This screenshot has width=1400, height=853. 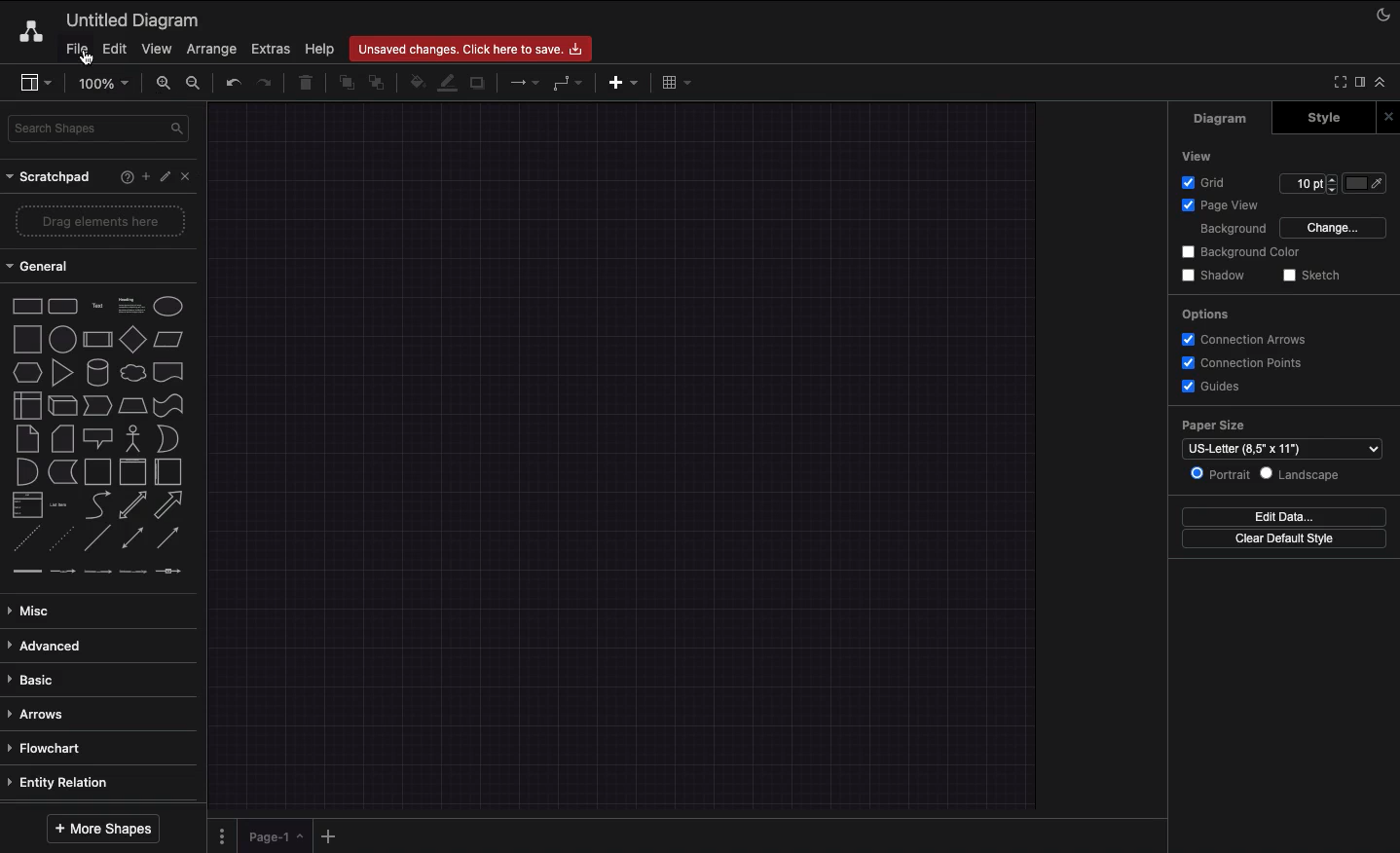 What do you see at coordinates (26, 373) in the screenshot?
I see `Hexagon` at bounding box center [26, 373].